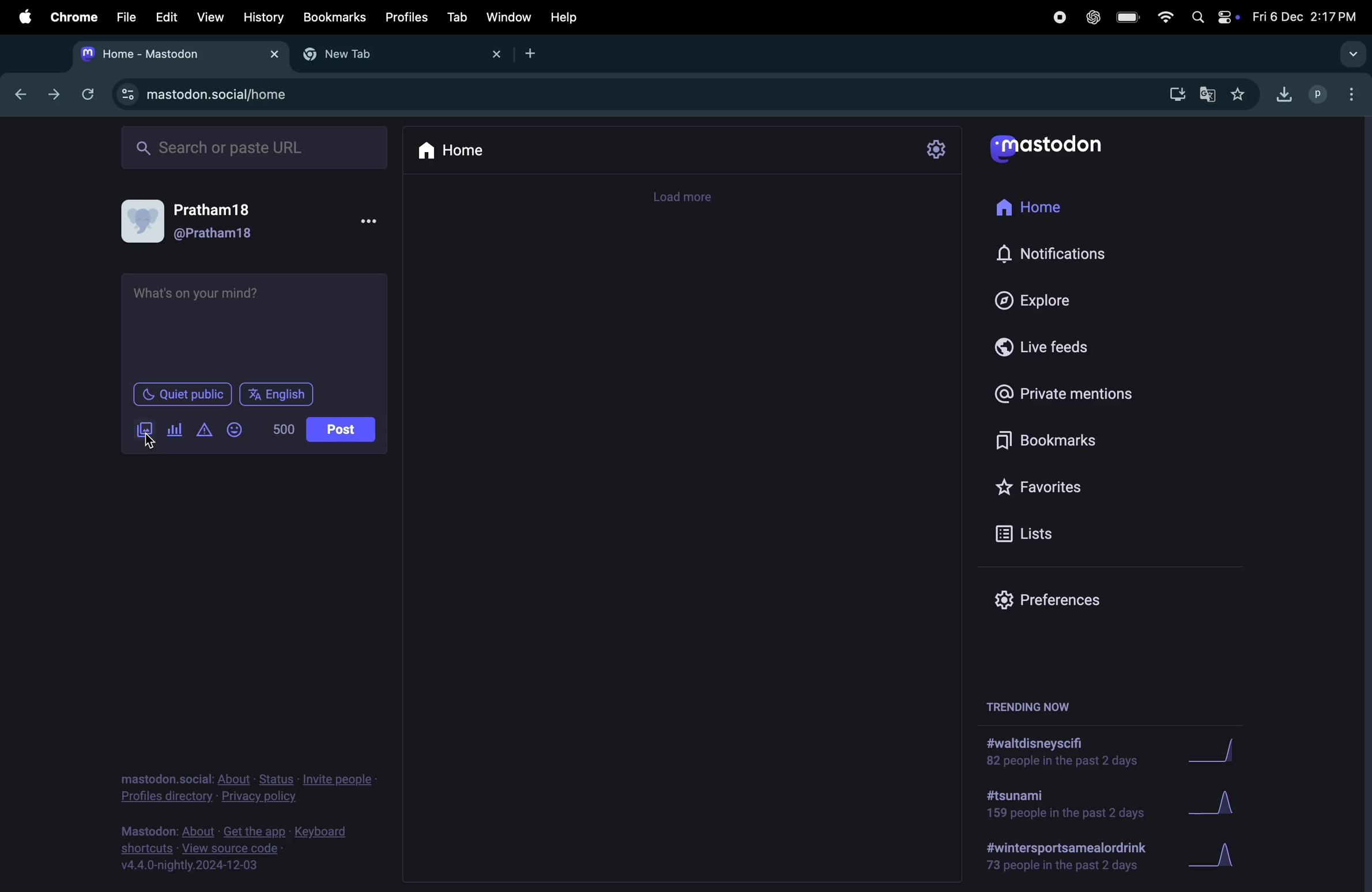  Describe the element at coordinates (1319, 93) in the screenshot. I see `user profile` at that location.